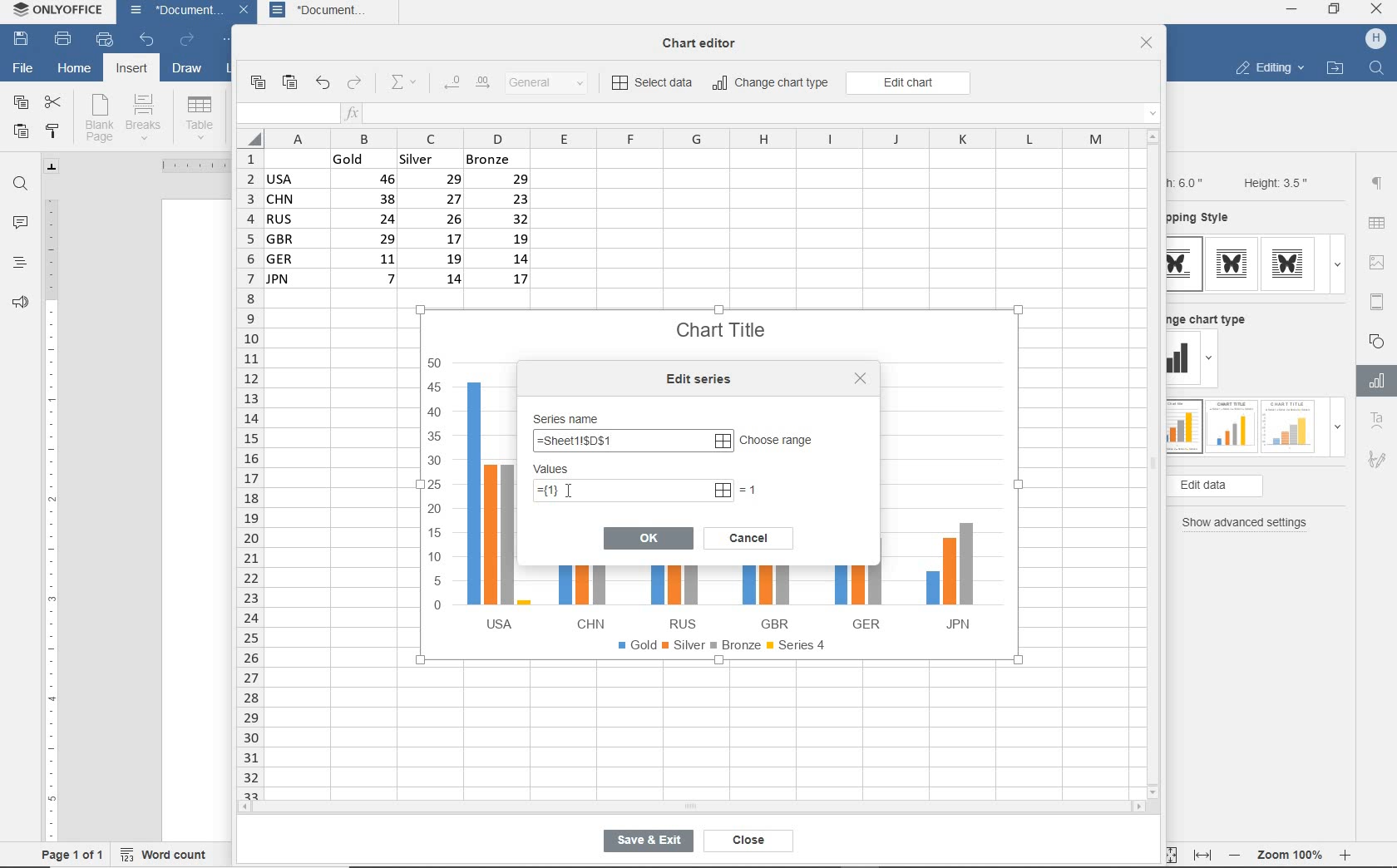 This screenshot has height=868, width=1397. I want to click on edit series, so click(703, 379).